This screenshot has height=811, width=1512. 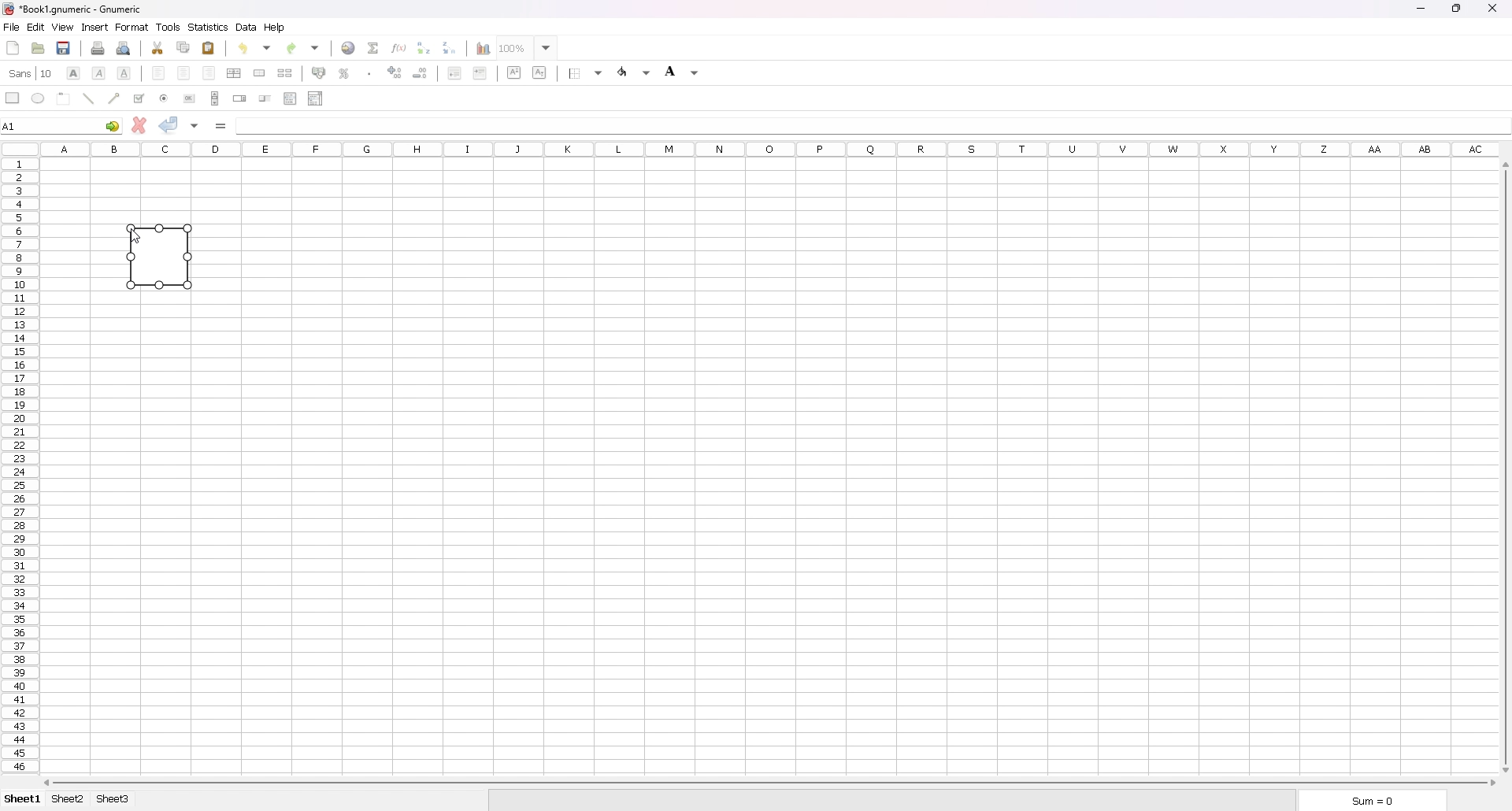 What do you see at coordinates (209, 73) in the screenshot?
I see `right align` at bounding box center [209, 73].